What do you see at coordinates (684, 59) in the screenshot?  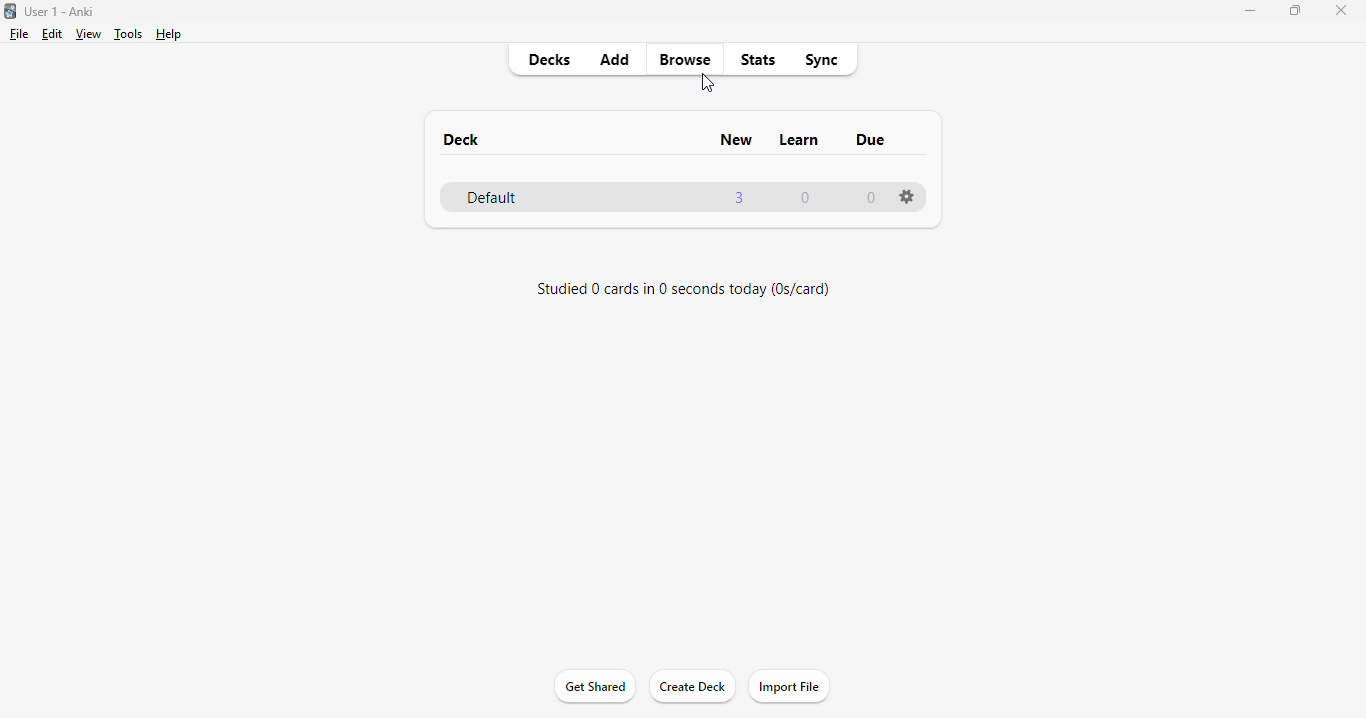 I see `browse` at bounding box center [684, 59].